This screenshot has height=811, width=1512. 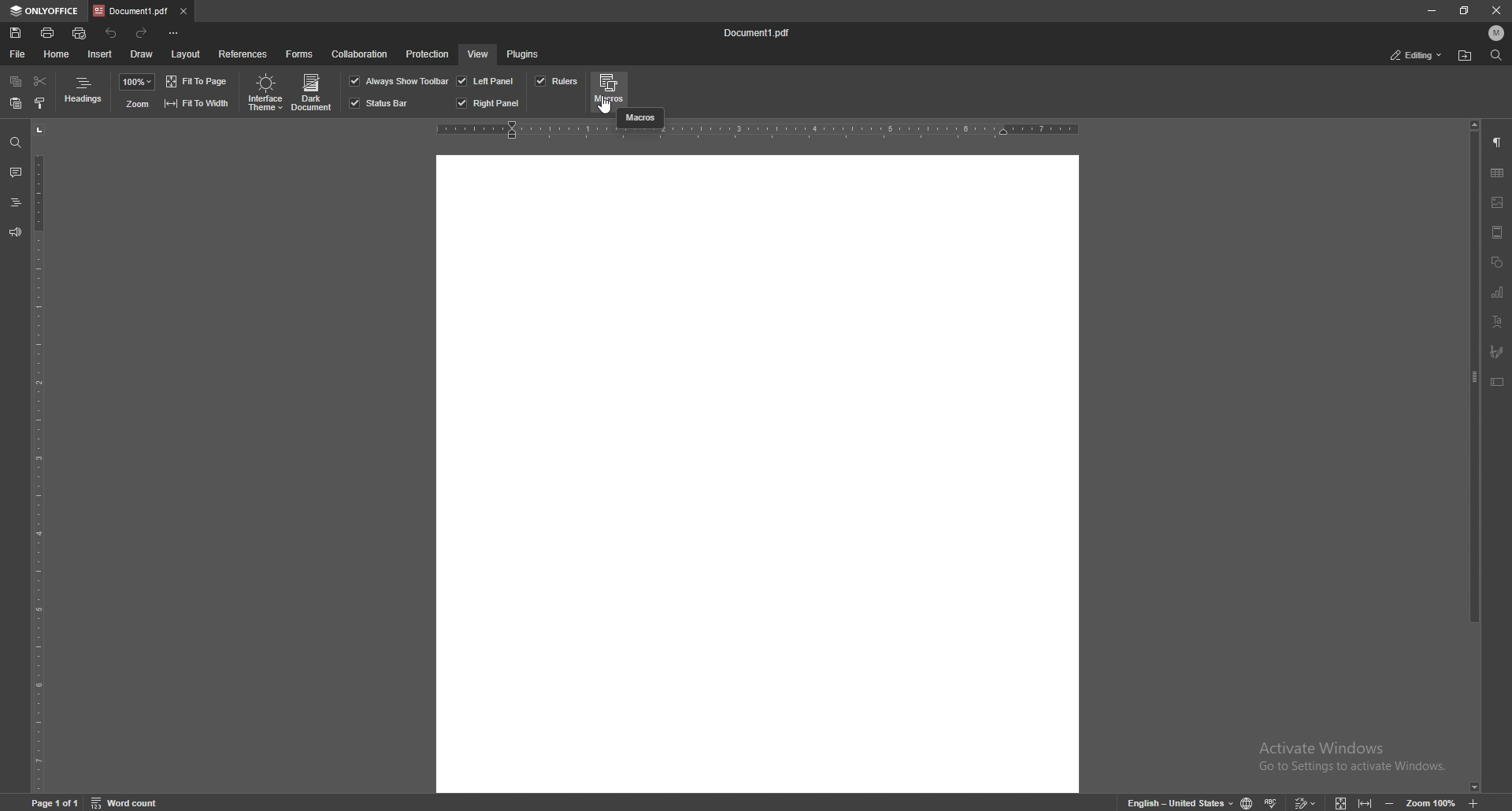 I want to click on file name, so click(x=761, y=34).